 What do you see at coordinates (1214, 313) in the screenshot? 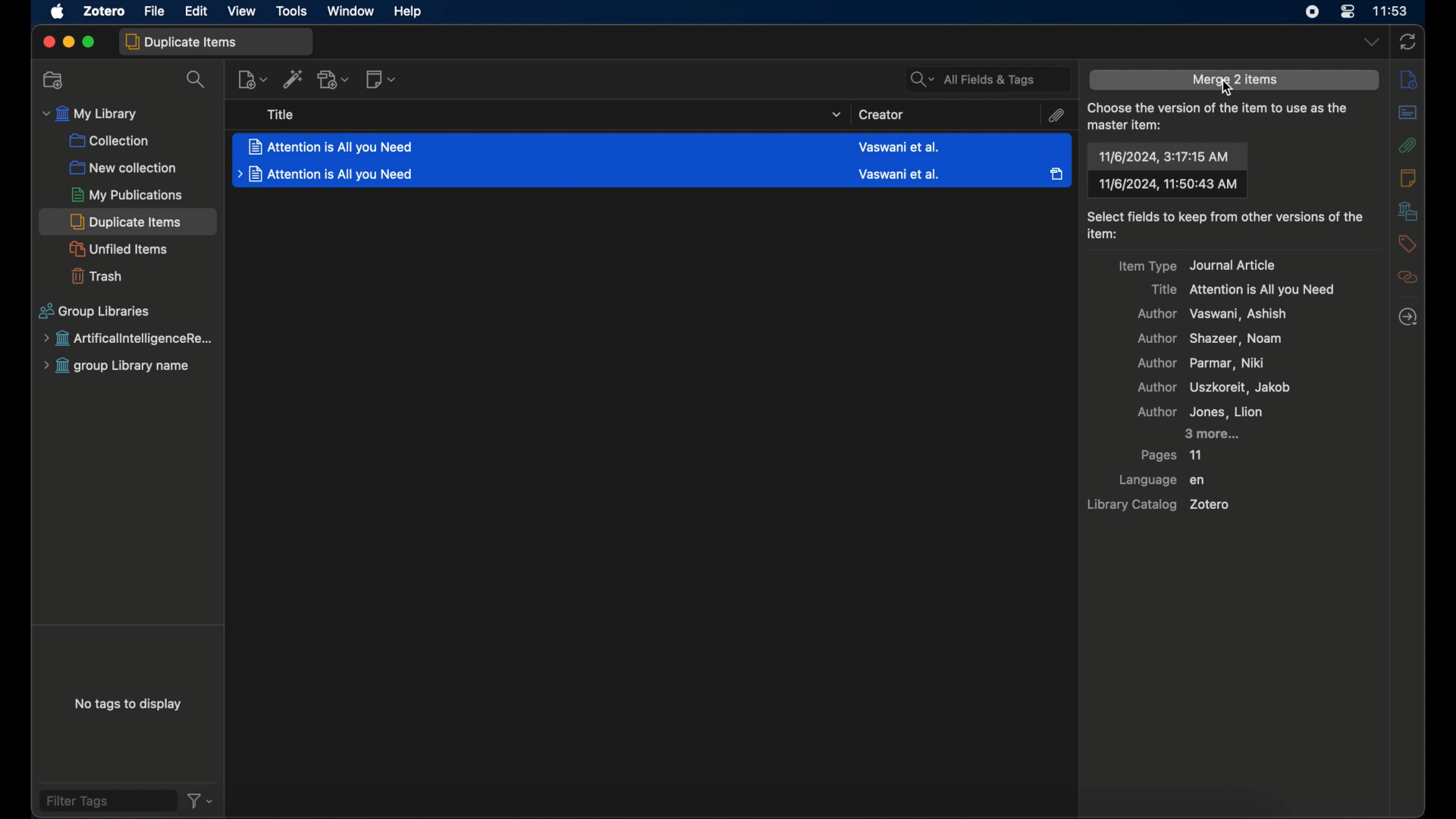
I see `author vaswani, ashish` at bounding box center [1214, 313].